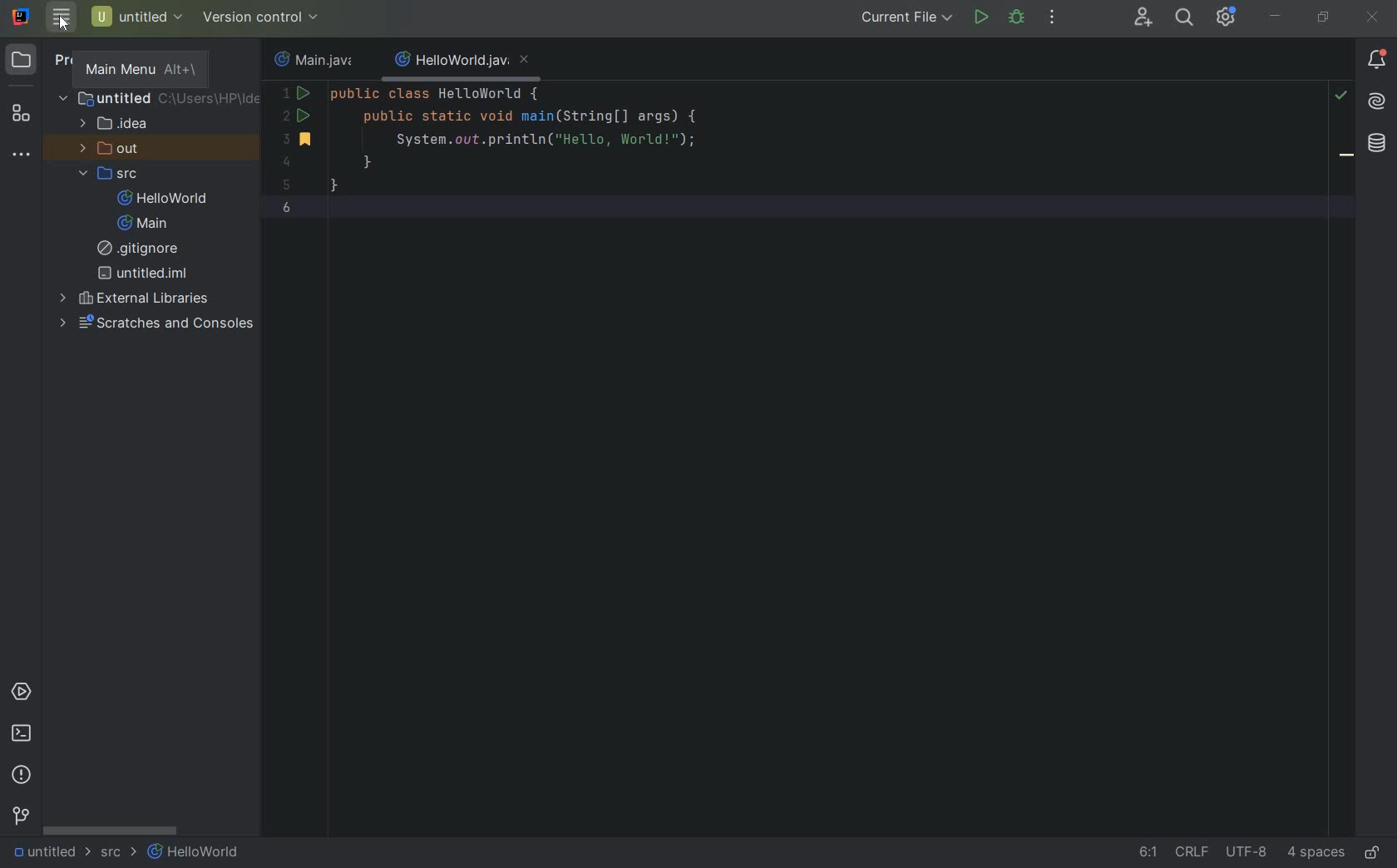 This screenshot has height=868, width=1397. I want to click on more tool windows, so click(22, 155).